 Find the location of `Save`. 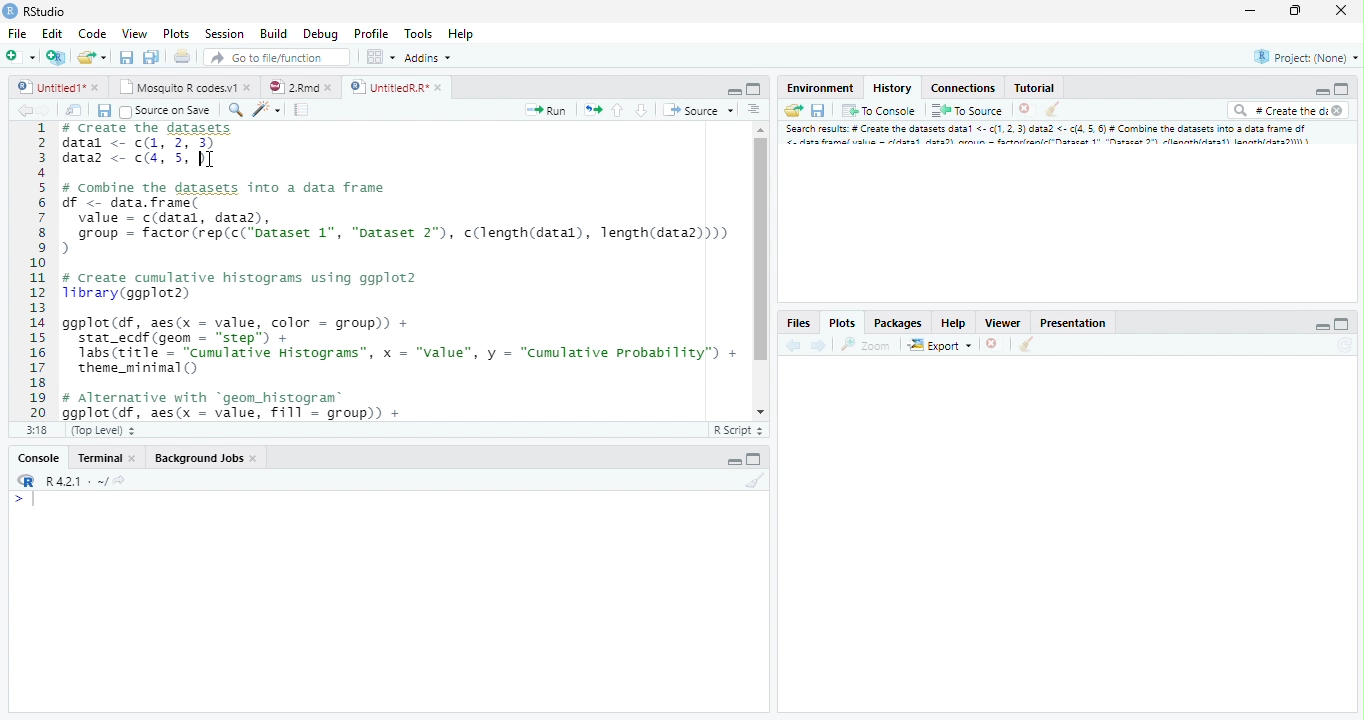

Save is located at coordinates (822, 109).